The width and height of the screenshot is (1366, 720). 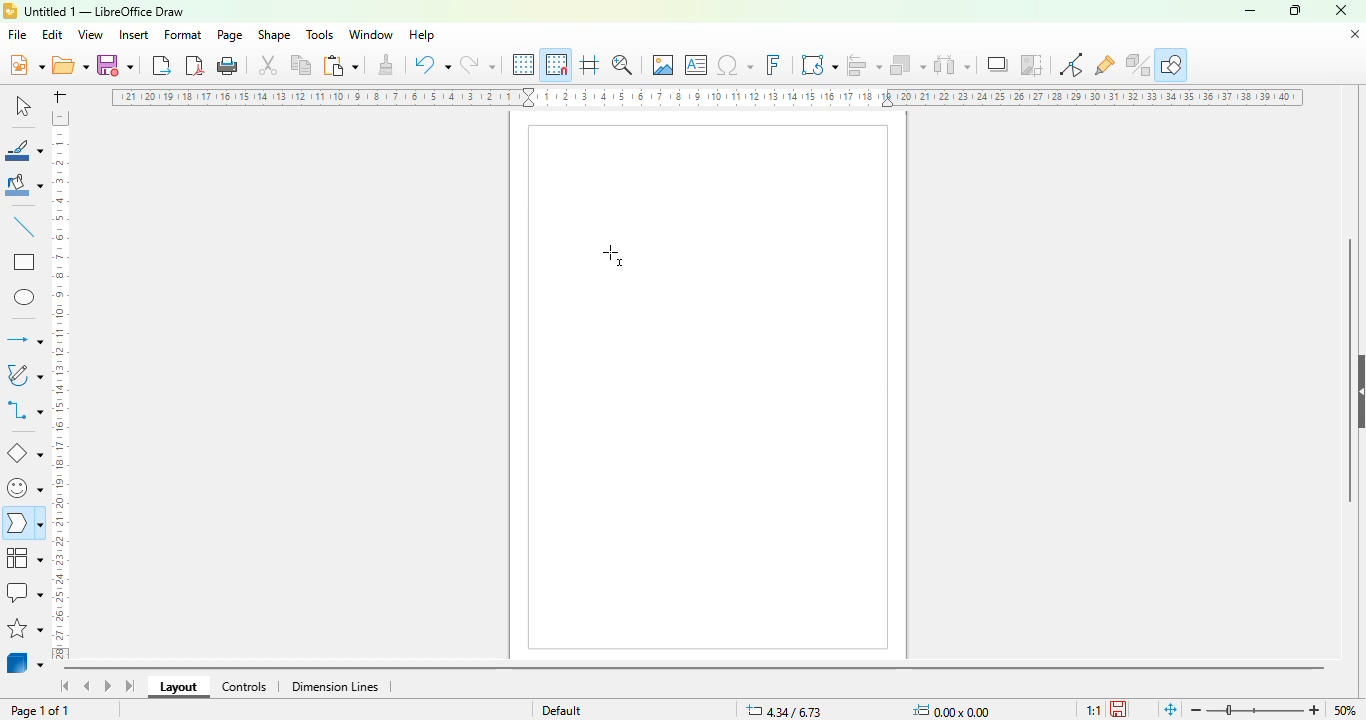 I want to click on 3D objects, so click(x=25, y=661).